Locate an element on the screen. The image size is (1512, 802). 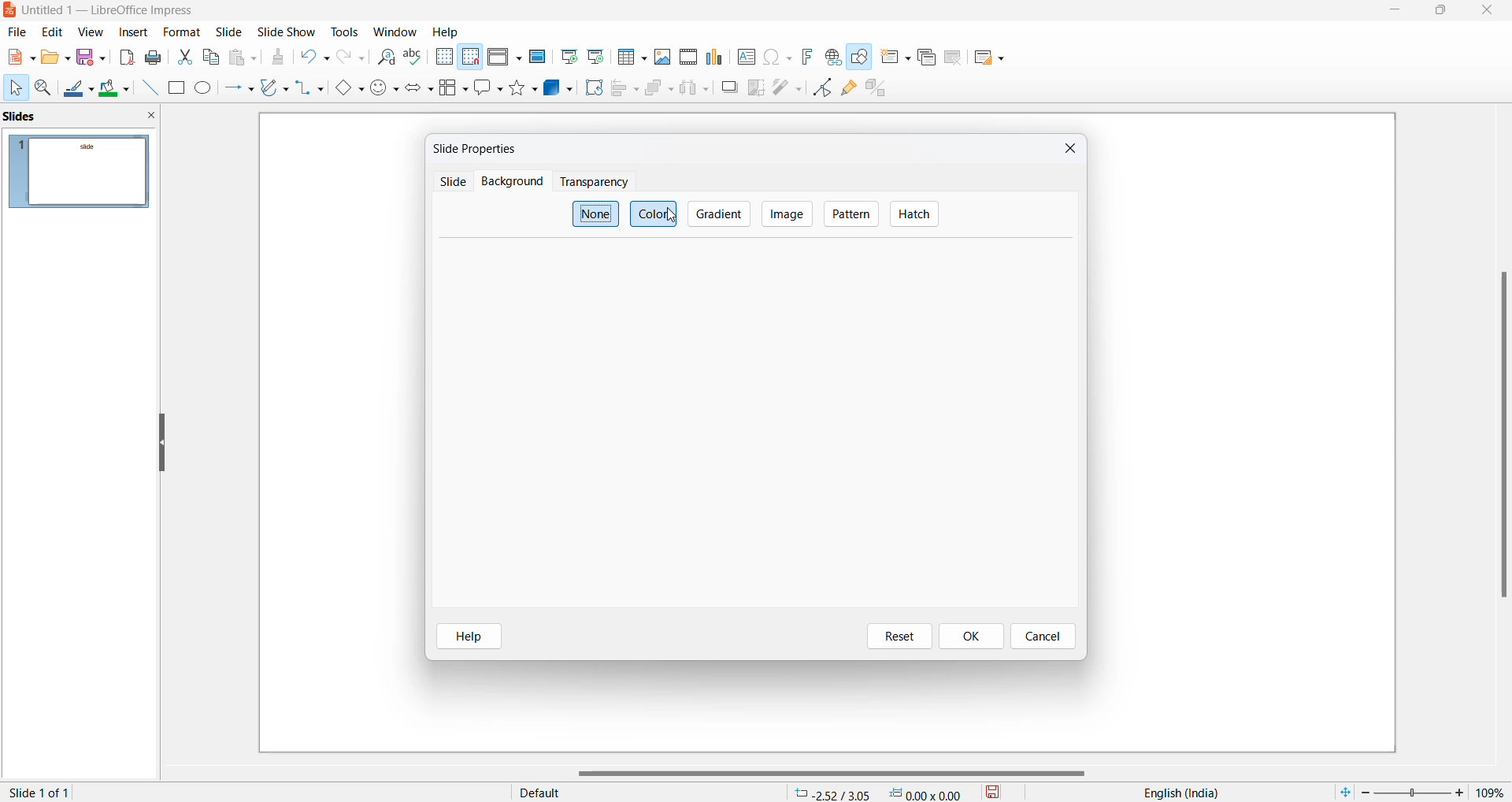
page style is located at coordinates (640, 792).